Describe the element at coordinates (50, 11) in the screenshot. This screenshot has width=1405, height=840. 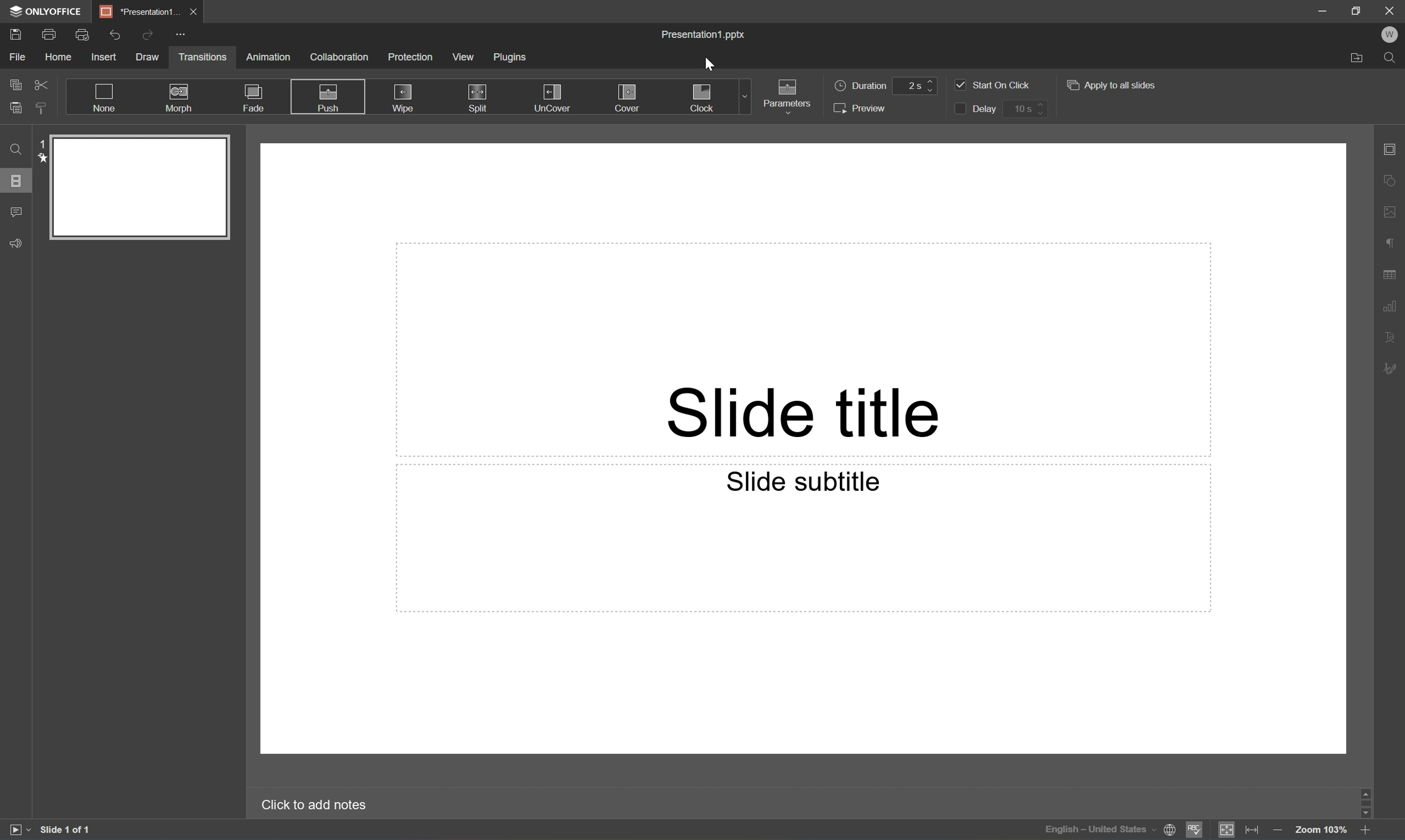
I see `ONLYOFFICE` at that location.